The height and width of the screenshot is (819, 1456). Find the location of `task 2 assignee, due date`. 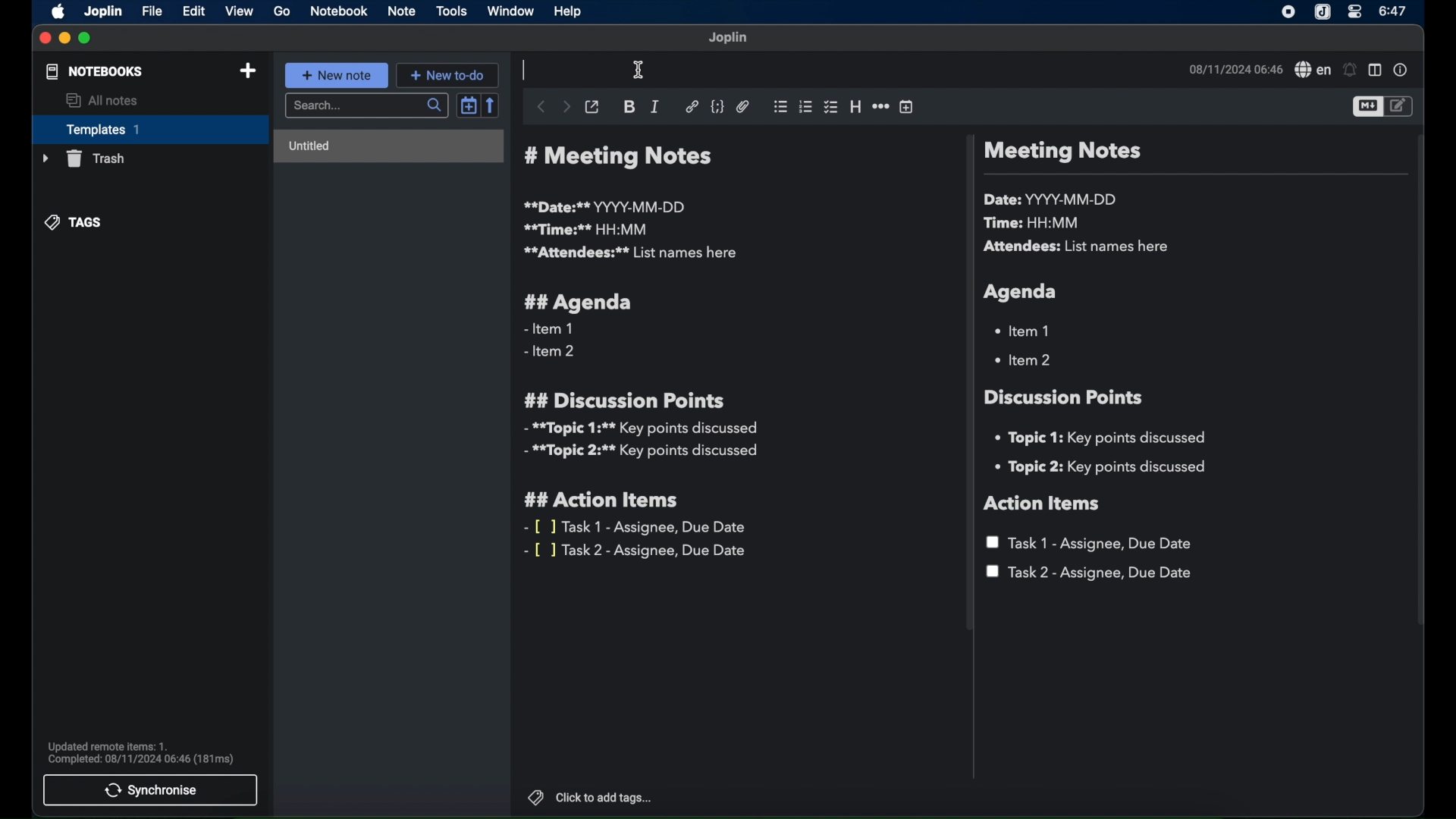

task 2 assignee, due date is located at coordinates (1090, 573).